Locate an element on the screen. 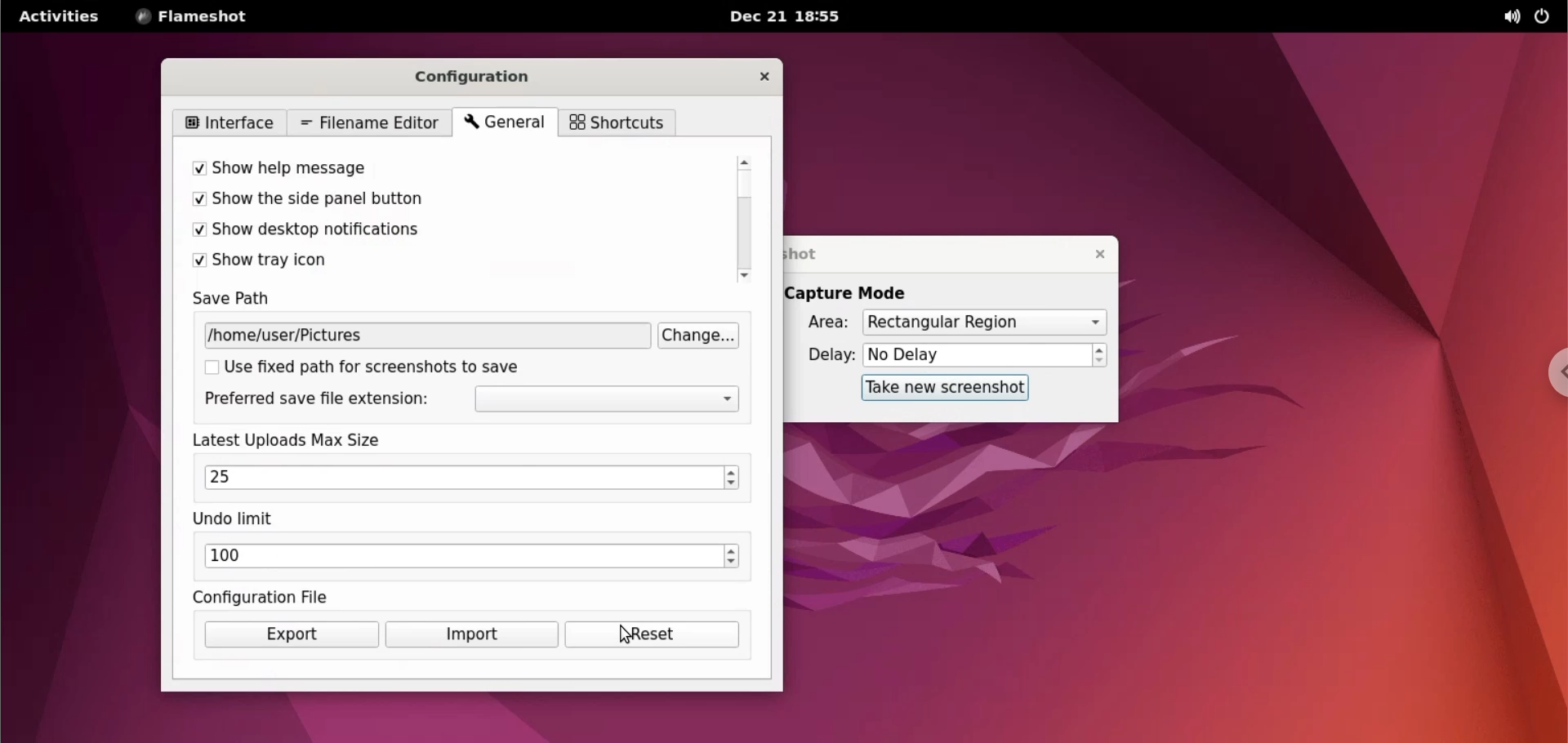  show help message is located at coordinates (398, 163).